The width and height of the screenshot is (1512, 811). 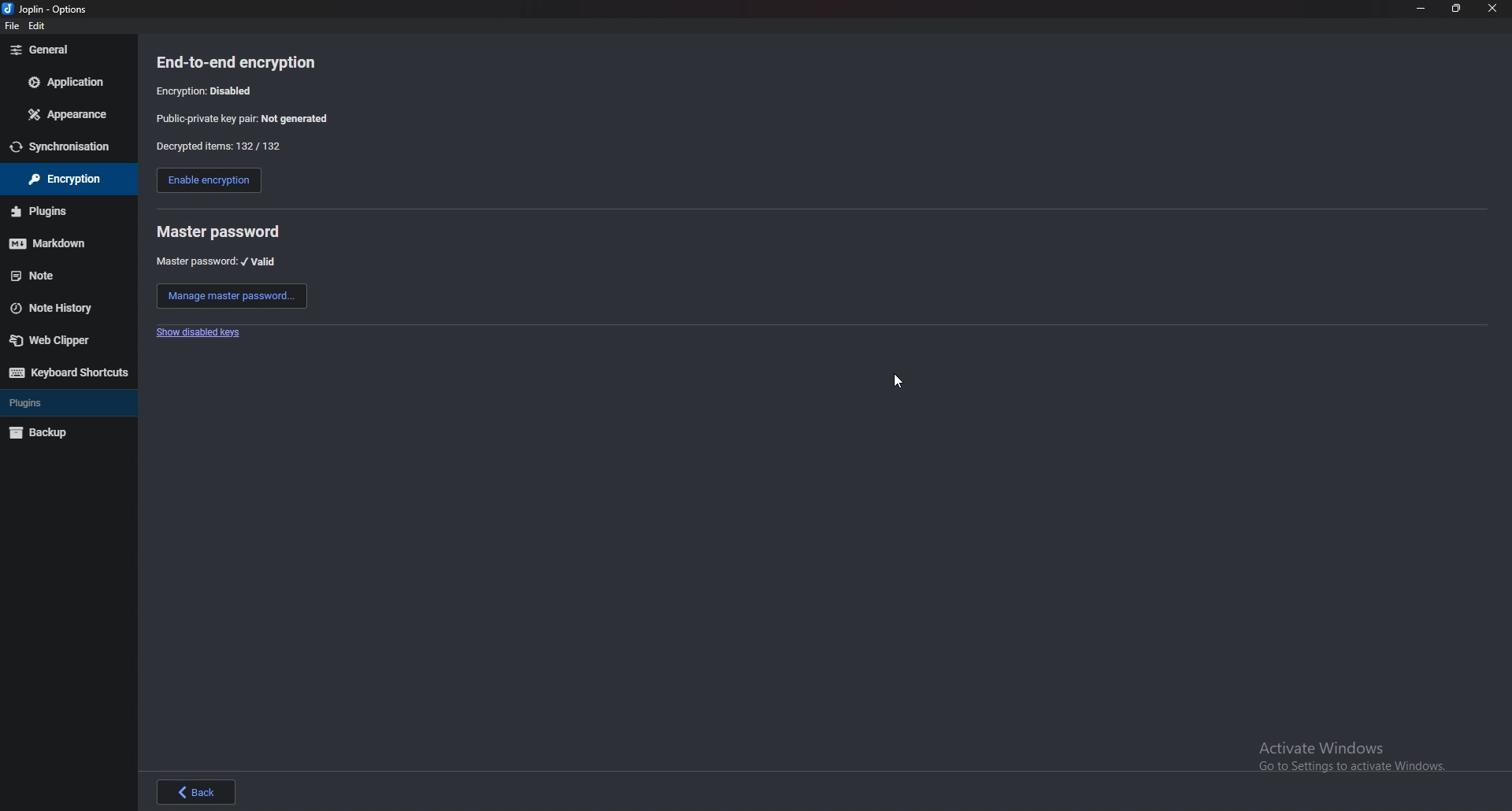 I want to click on public private key pair, so click(x=254, y=118).